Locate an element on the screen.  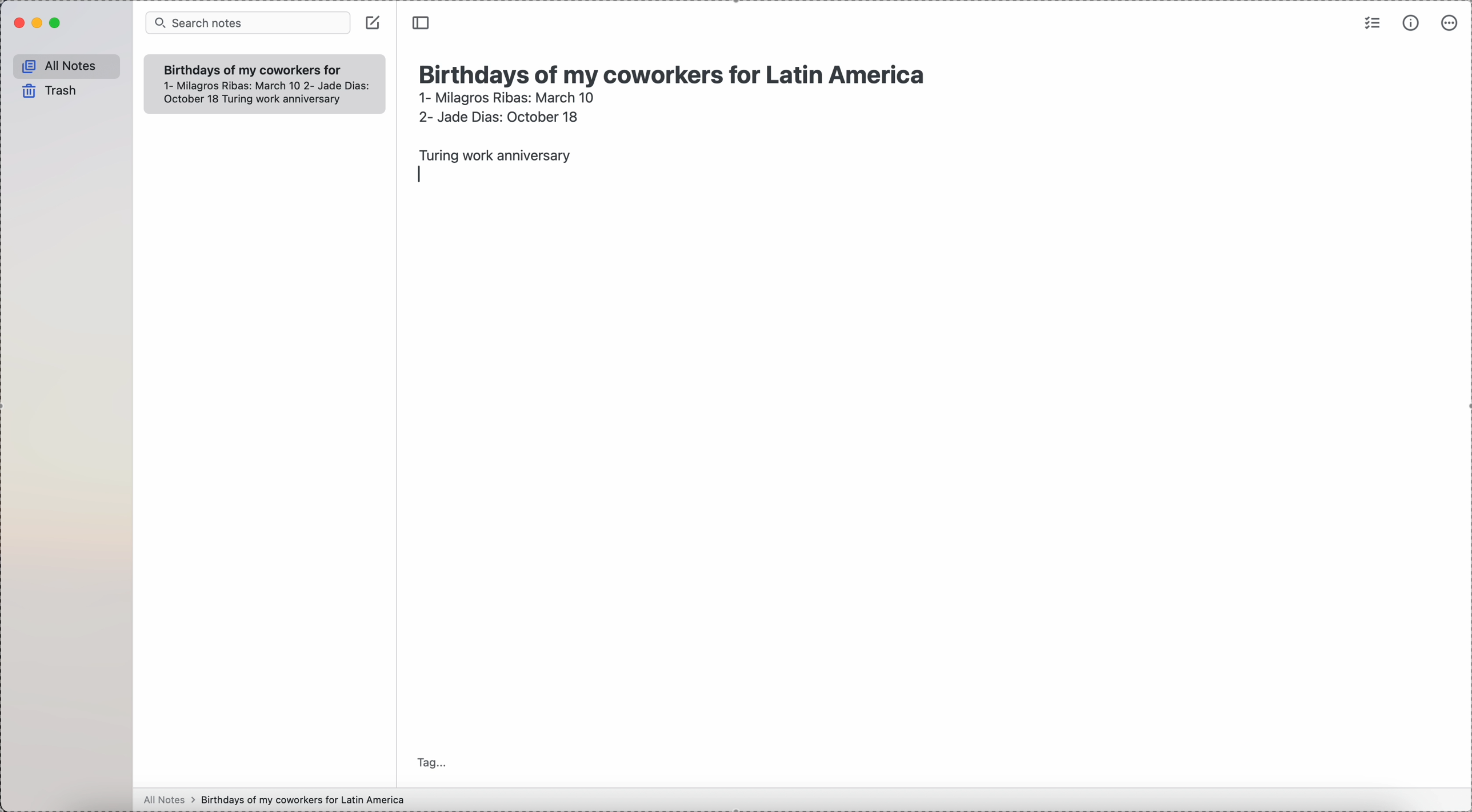
more options is located at coordinates (1451, 22).